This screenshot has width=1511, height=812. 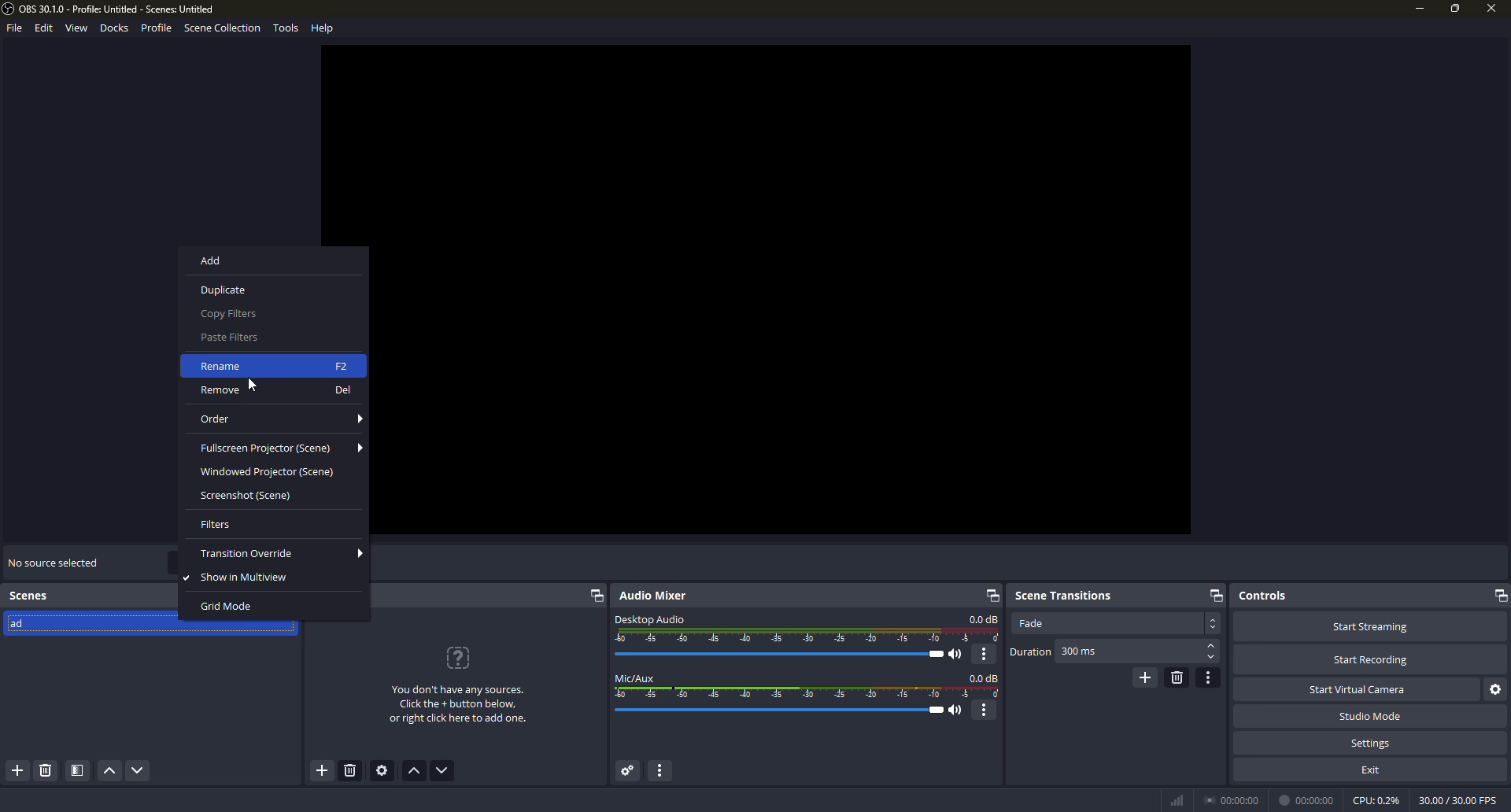 I want to click on view, so click(x=76, y=28).